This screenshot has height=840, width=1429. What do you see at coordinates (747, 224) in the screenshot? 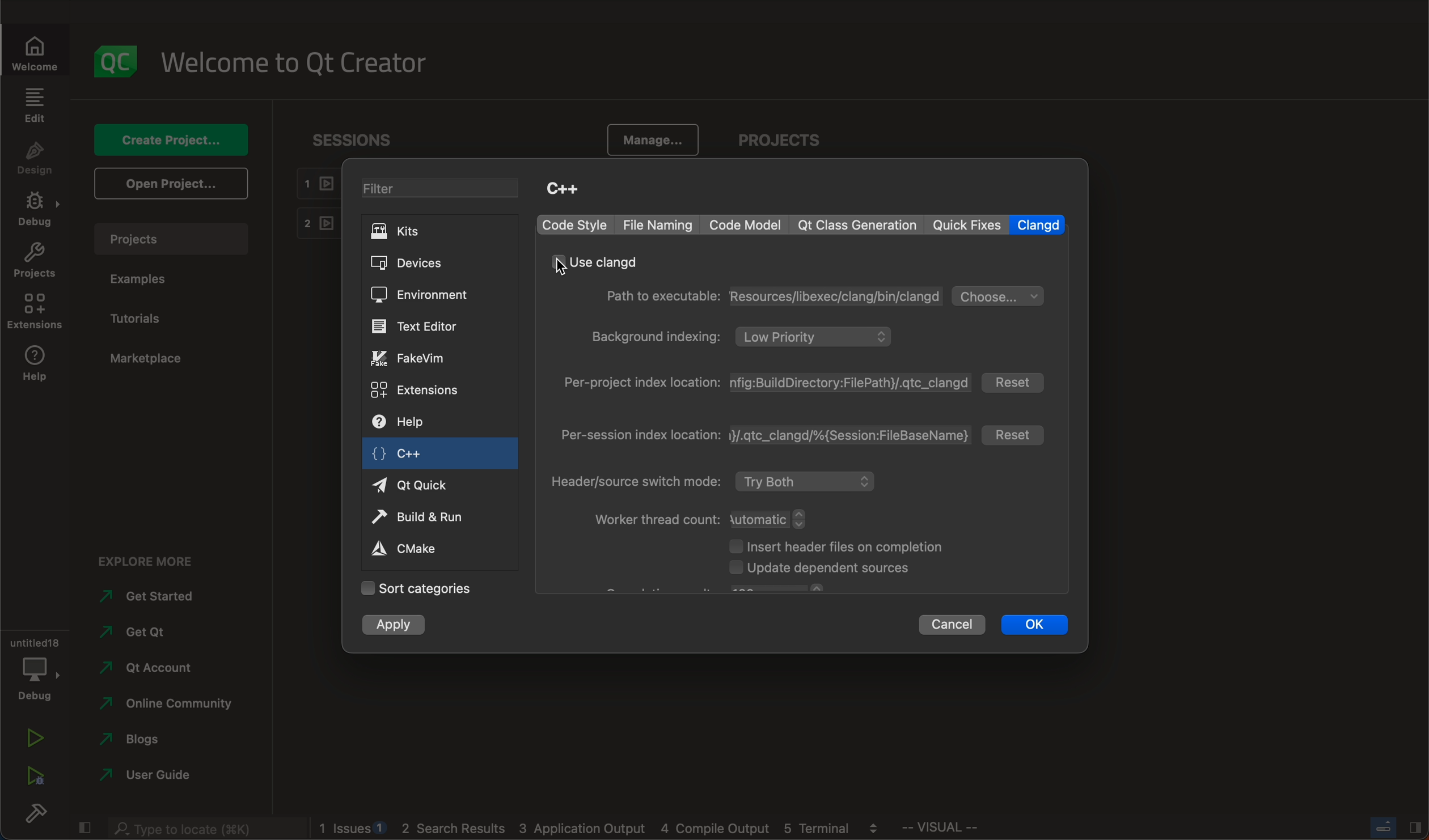
I see `code model` at bounding box center [747, 224].